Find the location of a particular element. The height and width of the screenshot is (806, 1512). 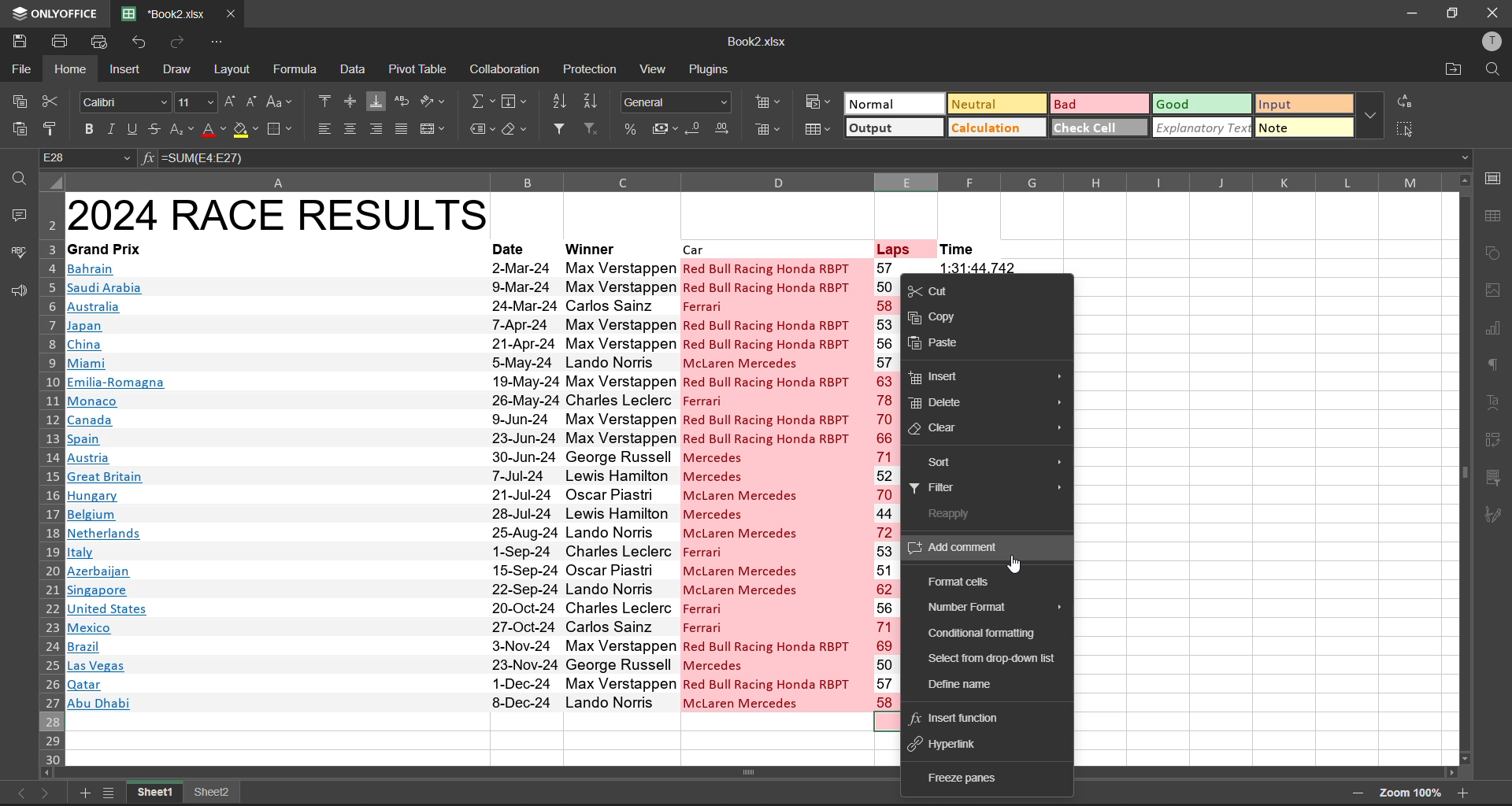

italic is located at coordinates (113, 128).